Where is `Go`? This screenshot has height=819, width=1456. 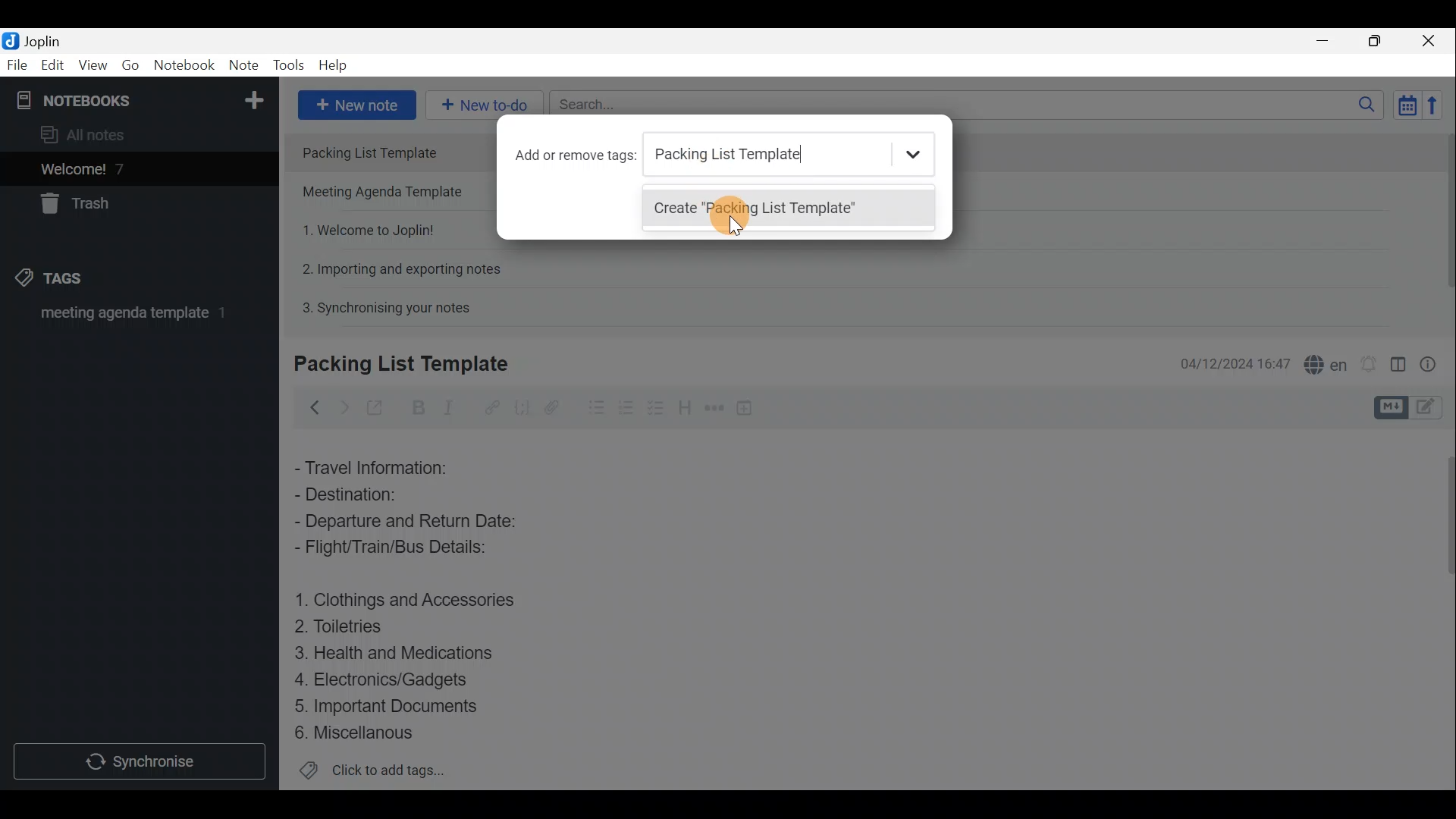 Go is located at coordinates (131, 65).